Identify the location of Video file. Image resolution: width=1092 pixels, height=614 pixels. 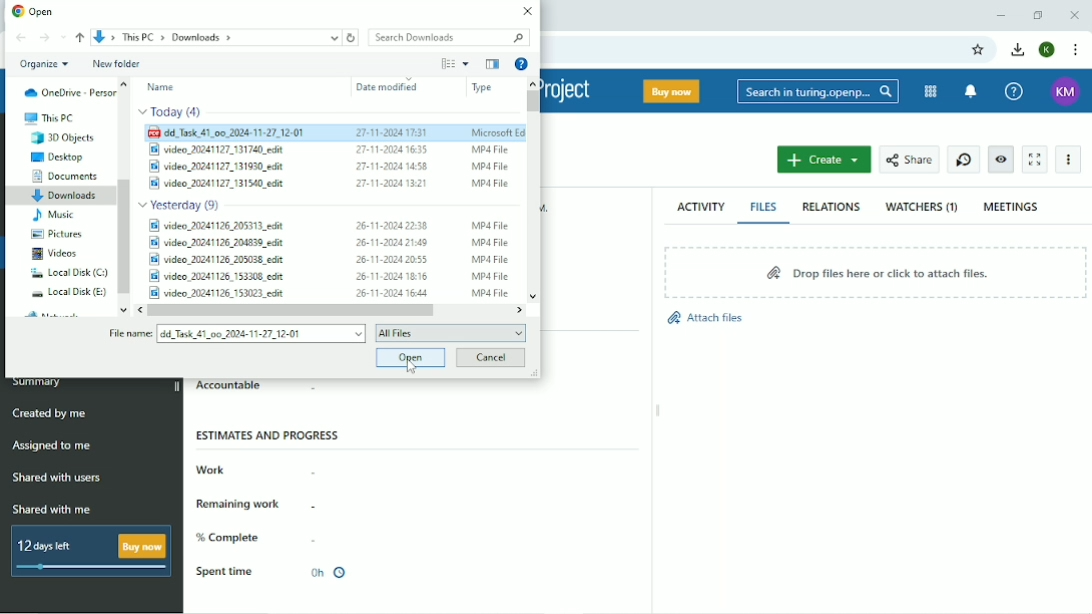
(327, 243).